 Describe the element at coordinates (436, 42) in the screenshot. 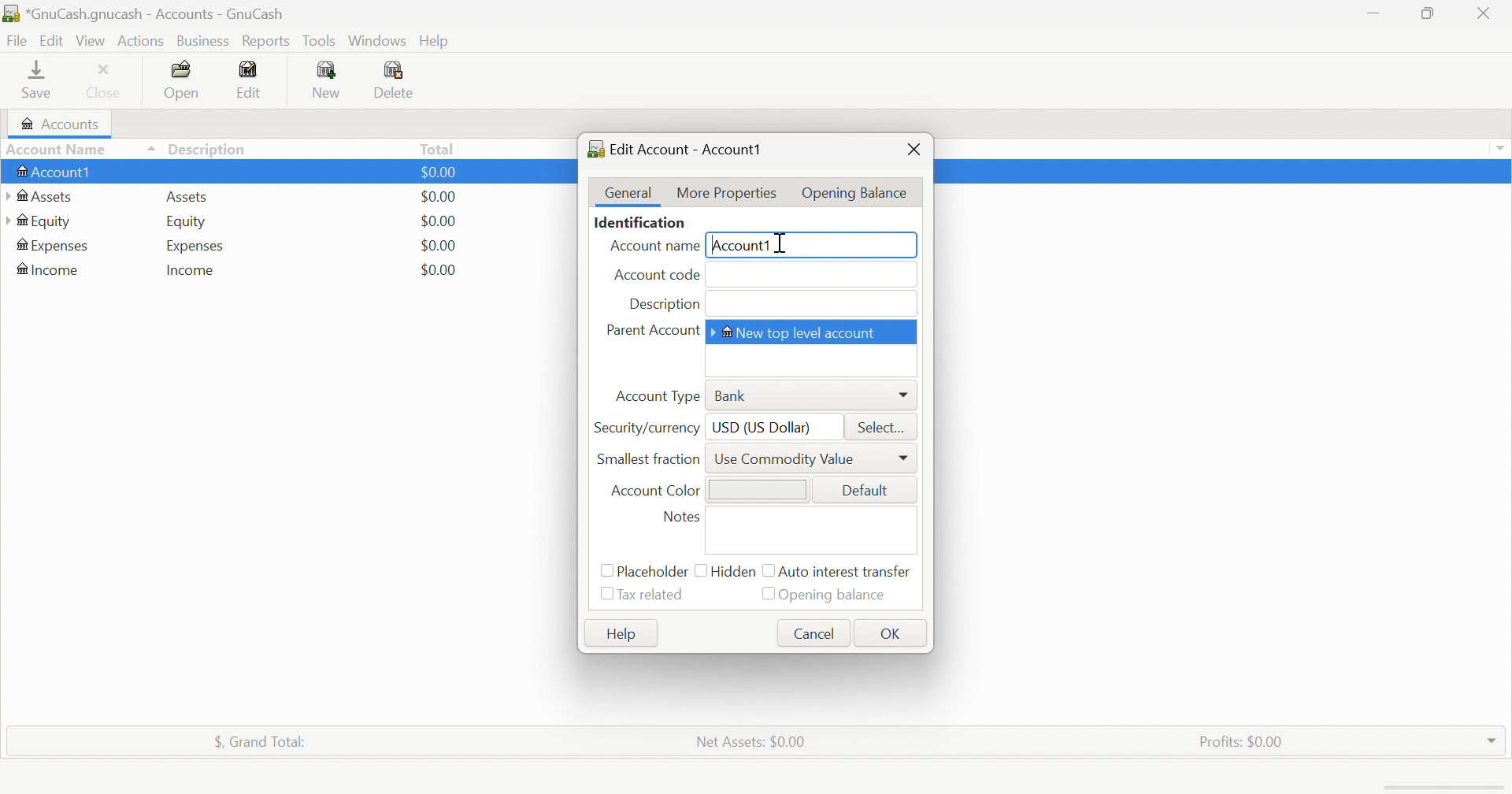

I see `Help` at that location.